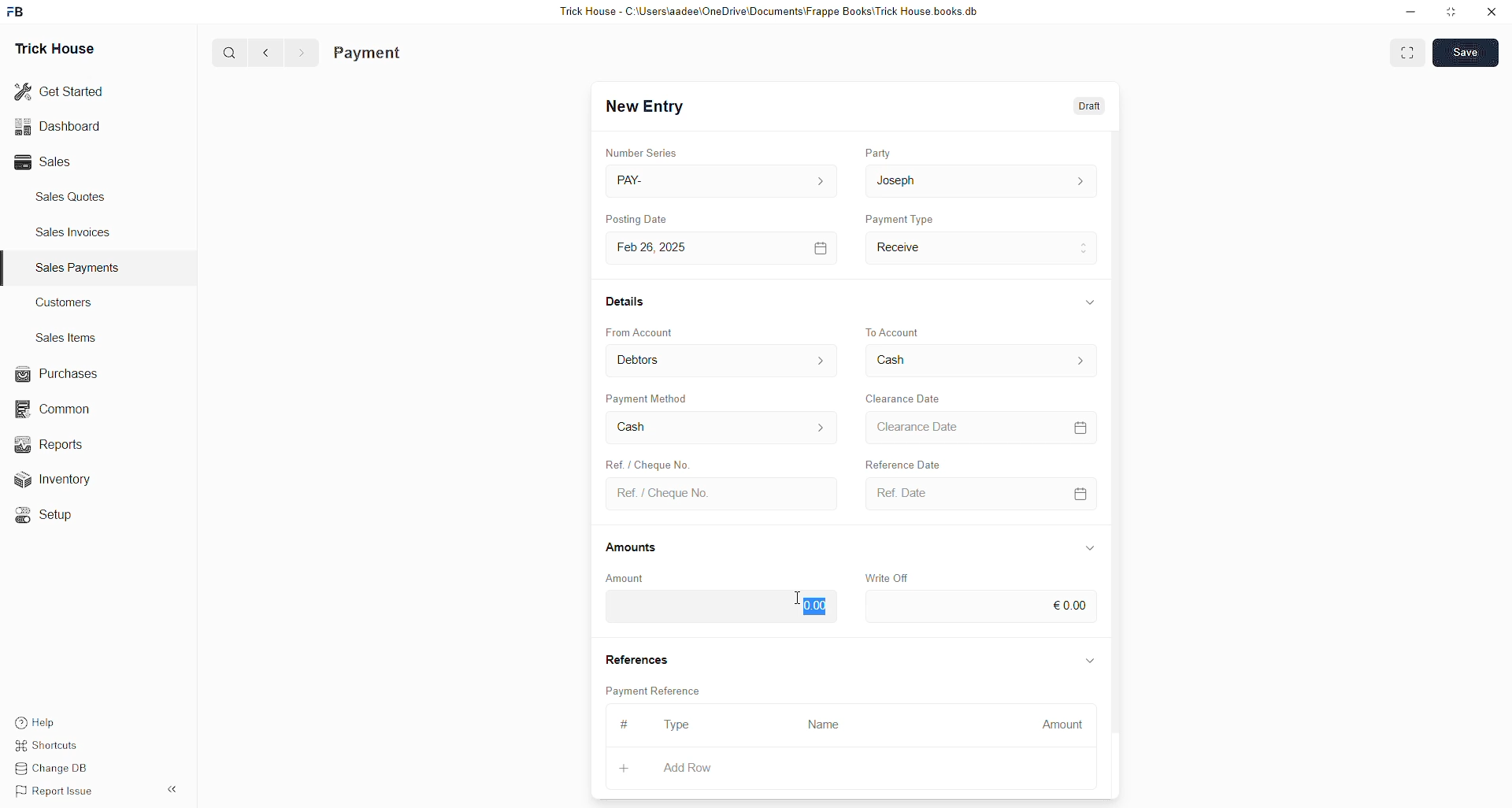  What do you see at coordinates (632, 548) in the screenshot?
I see `Amounts` at bounding box center [632, 548].